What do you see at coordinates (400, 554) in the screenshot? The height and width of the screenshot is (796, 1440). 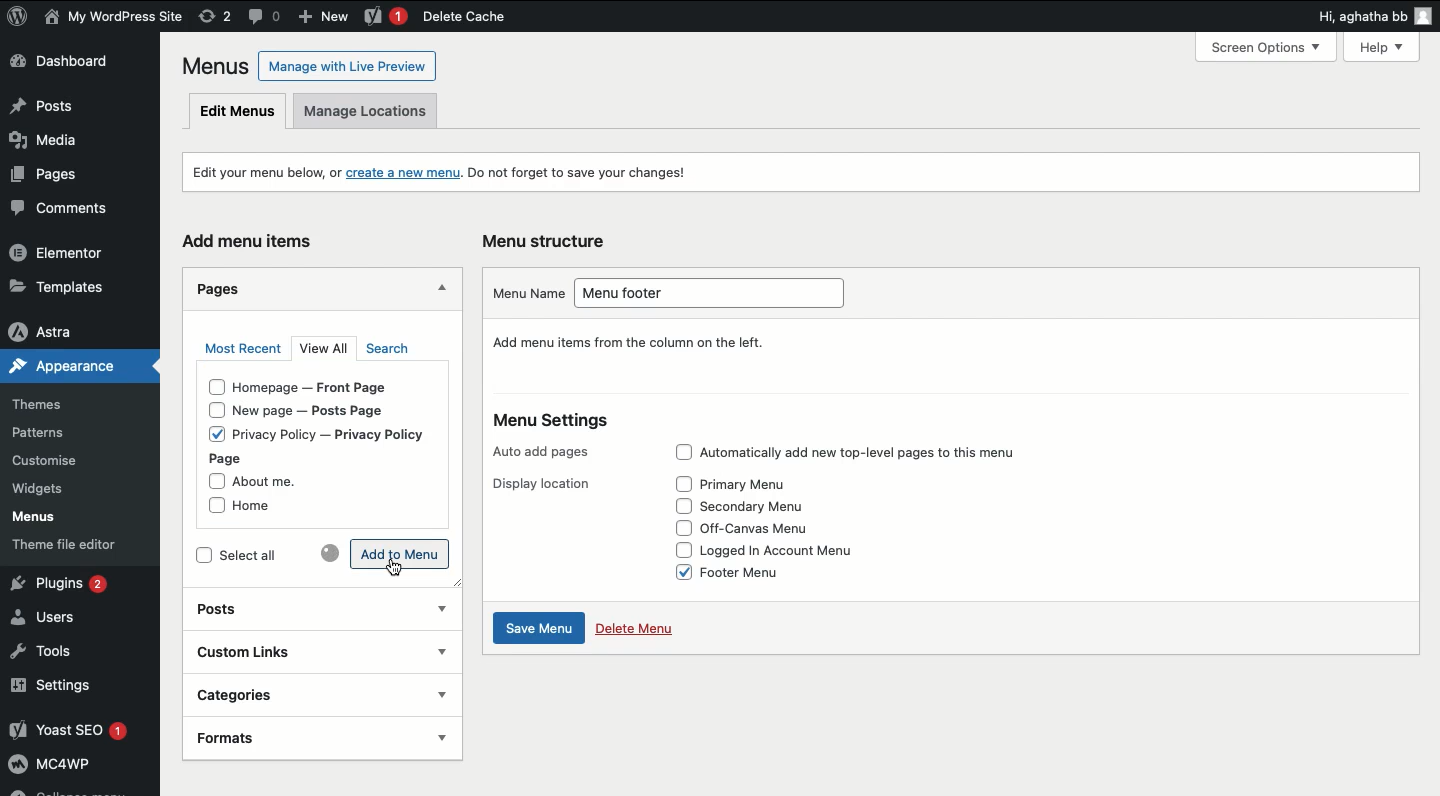 I see `Add to menu` at bounding box center [400, 554].